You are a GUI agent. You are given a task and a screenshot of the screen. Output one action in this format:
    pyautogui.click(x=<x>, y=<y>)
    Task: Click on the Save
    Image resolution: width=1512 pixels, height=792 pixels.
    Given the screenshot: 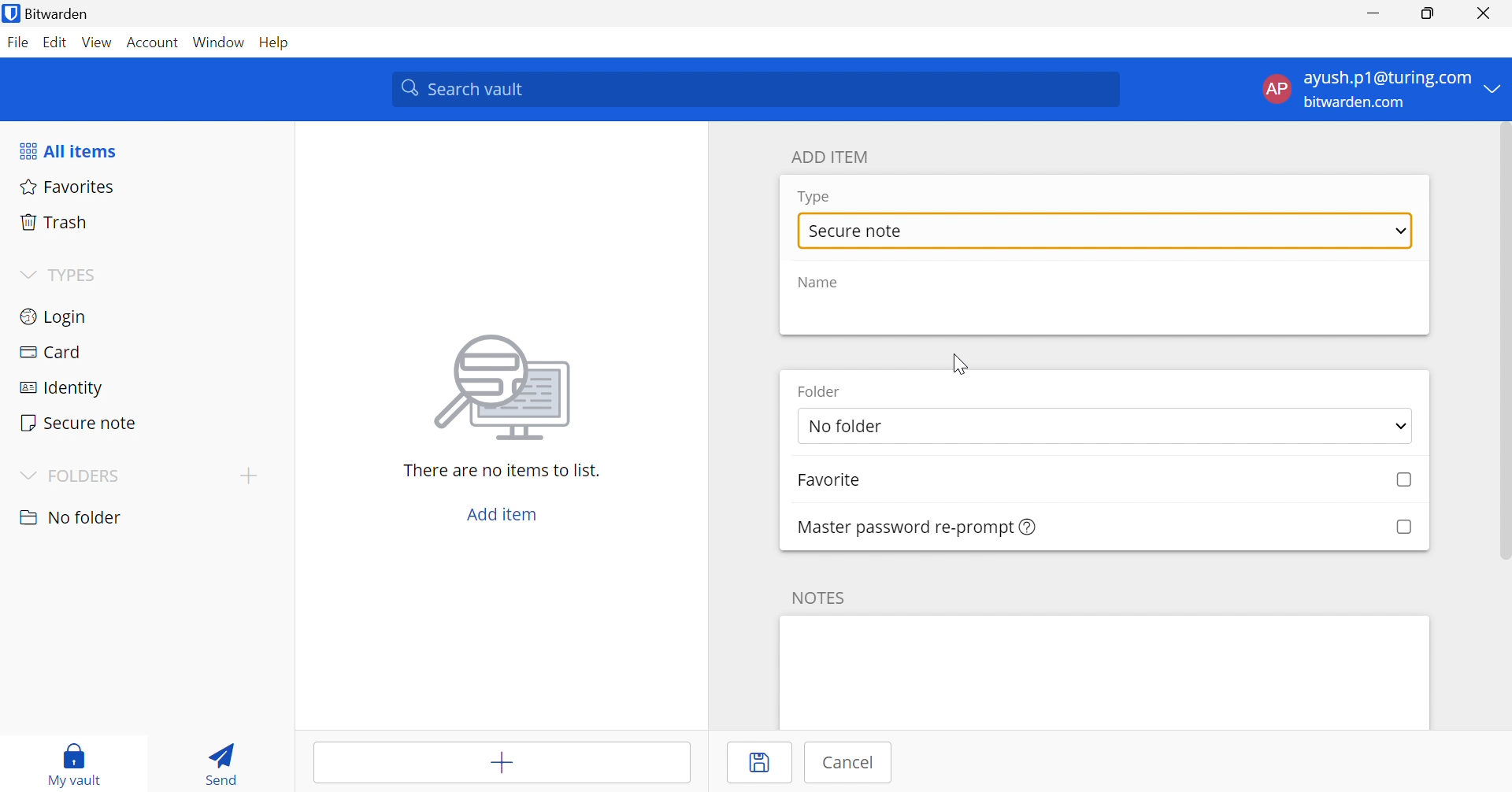 What is the action you would take?
    pyautogui.click(x=758, y=763)
    